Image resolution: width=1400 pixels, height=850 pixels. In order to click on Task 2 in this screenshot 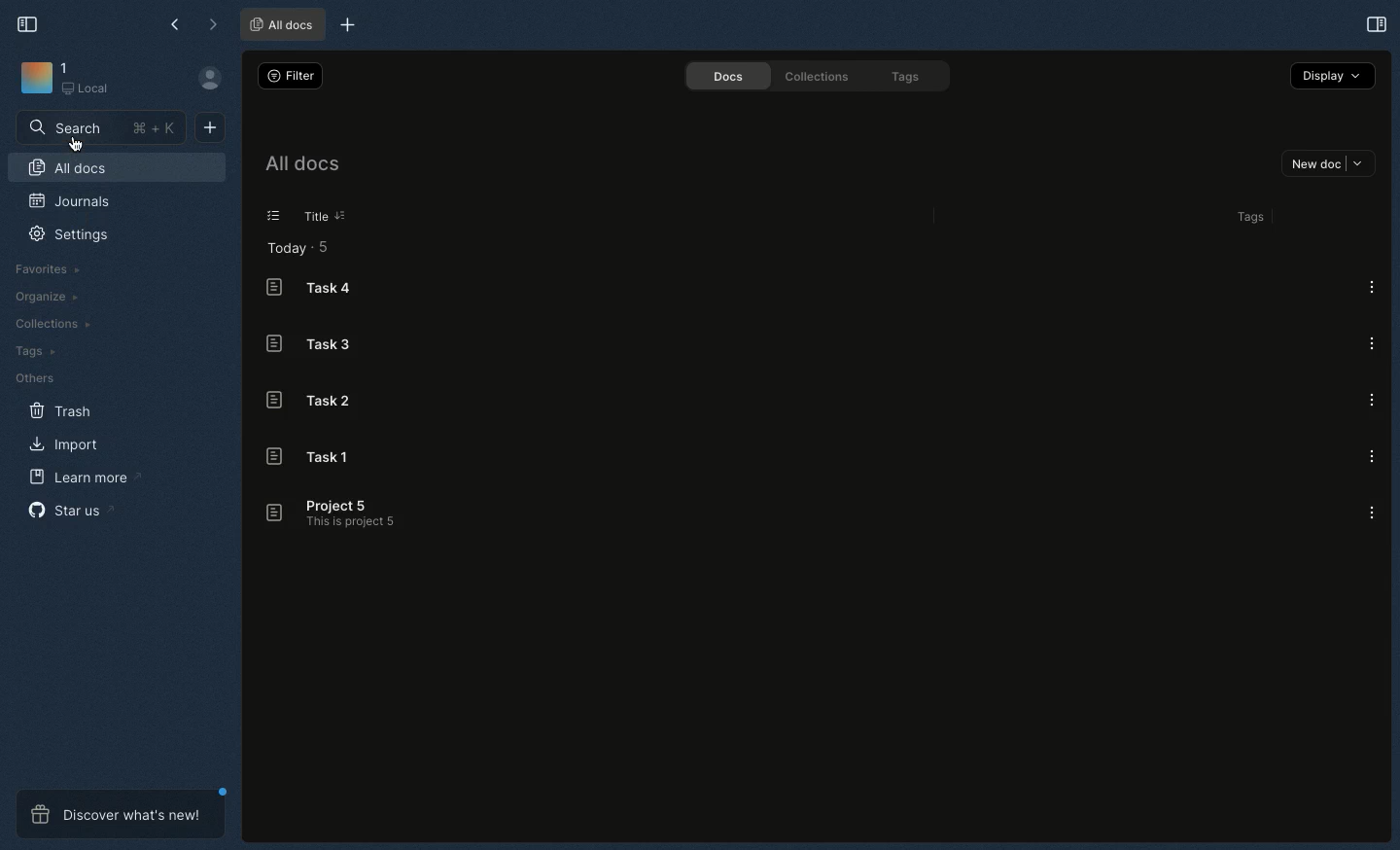, I will do `click(306, 400)`.